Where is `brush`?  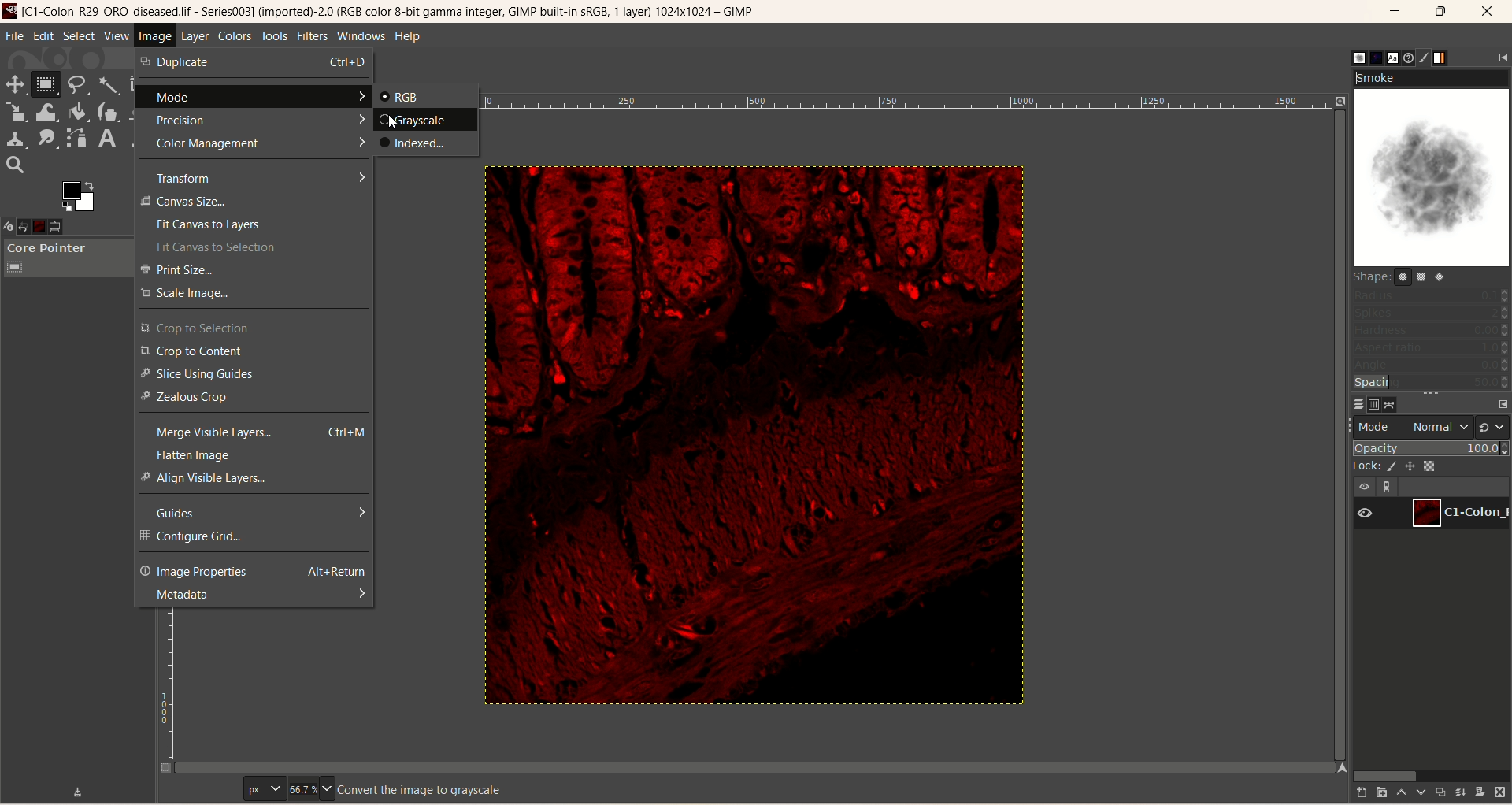
brush is located at coordinates (1359, 58).